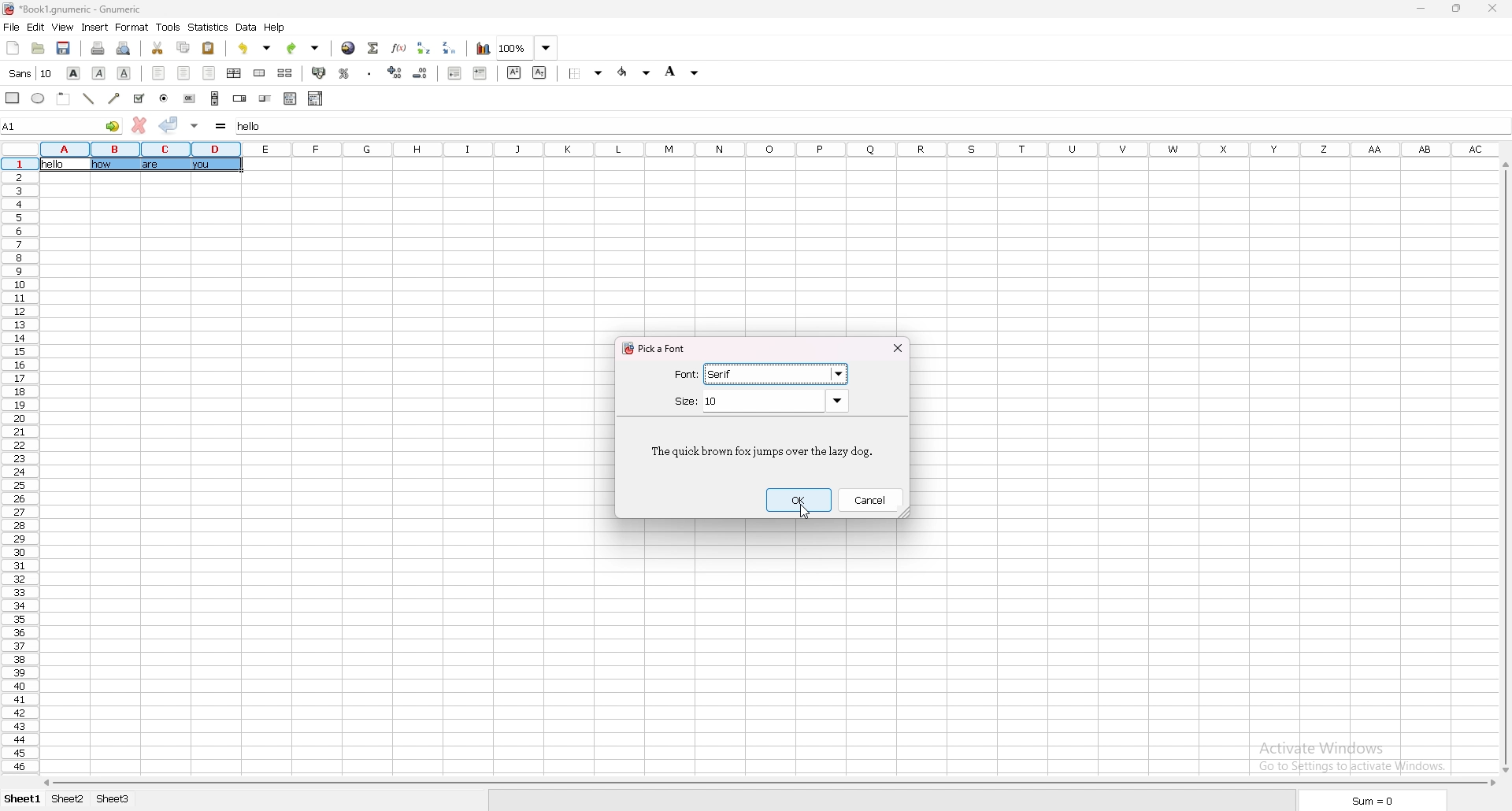  I want to click on new, so click(12, 48).